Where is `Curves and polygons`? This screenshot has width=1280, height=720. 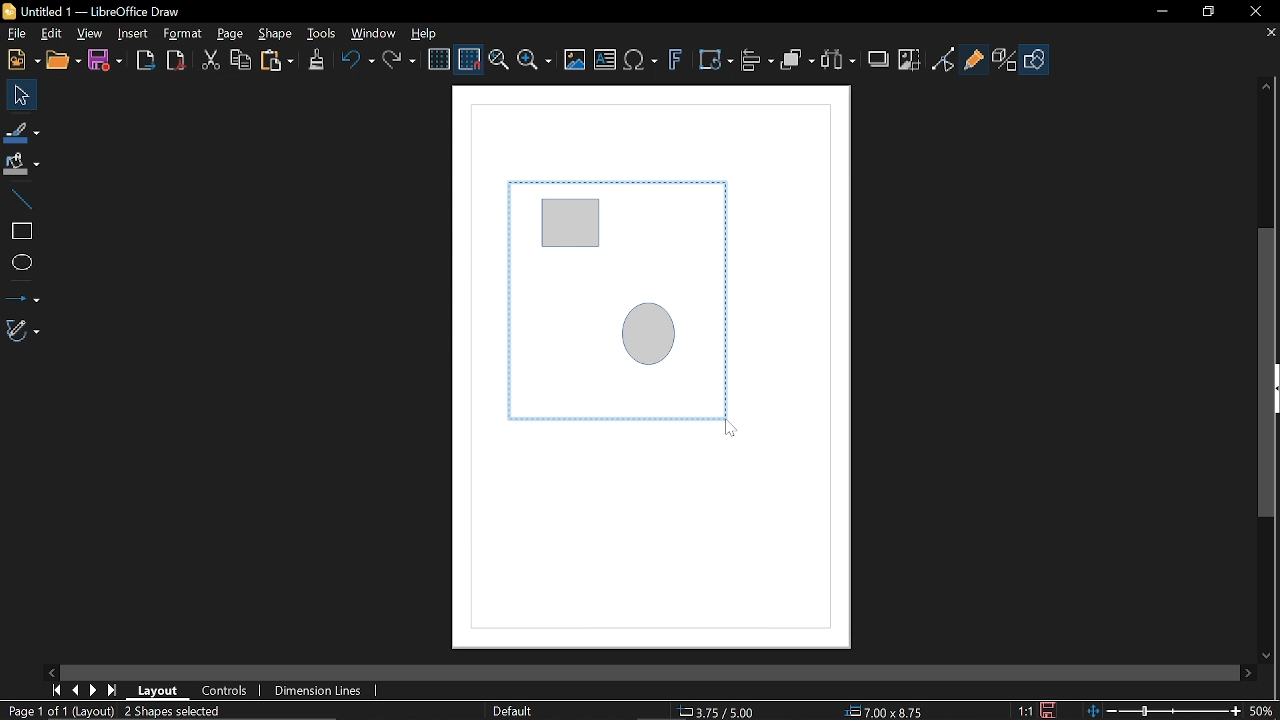 Curves and polygons is located at coordinates (20, 329).